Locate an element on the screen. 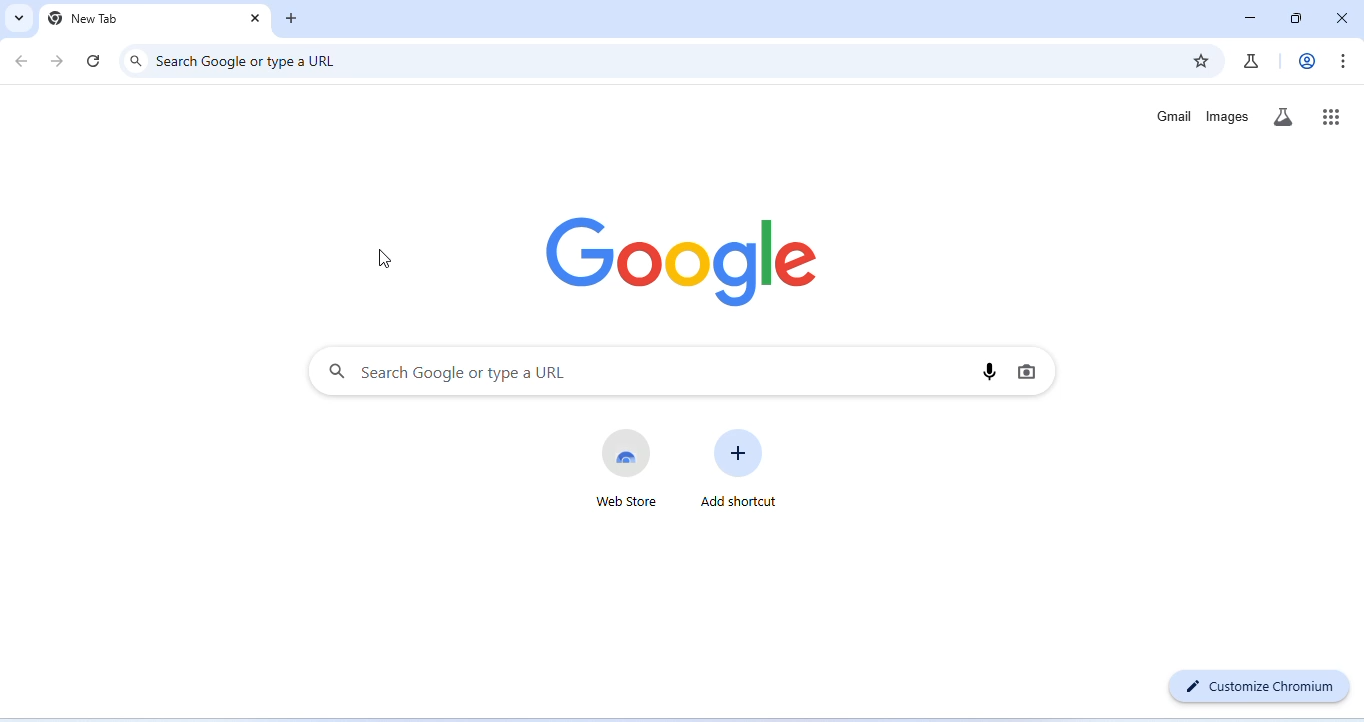  add book marks is located at coordinates (1200, 60).